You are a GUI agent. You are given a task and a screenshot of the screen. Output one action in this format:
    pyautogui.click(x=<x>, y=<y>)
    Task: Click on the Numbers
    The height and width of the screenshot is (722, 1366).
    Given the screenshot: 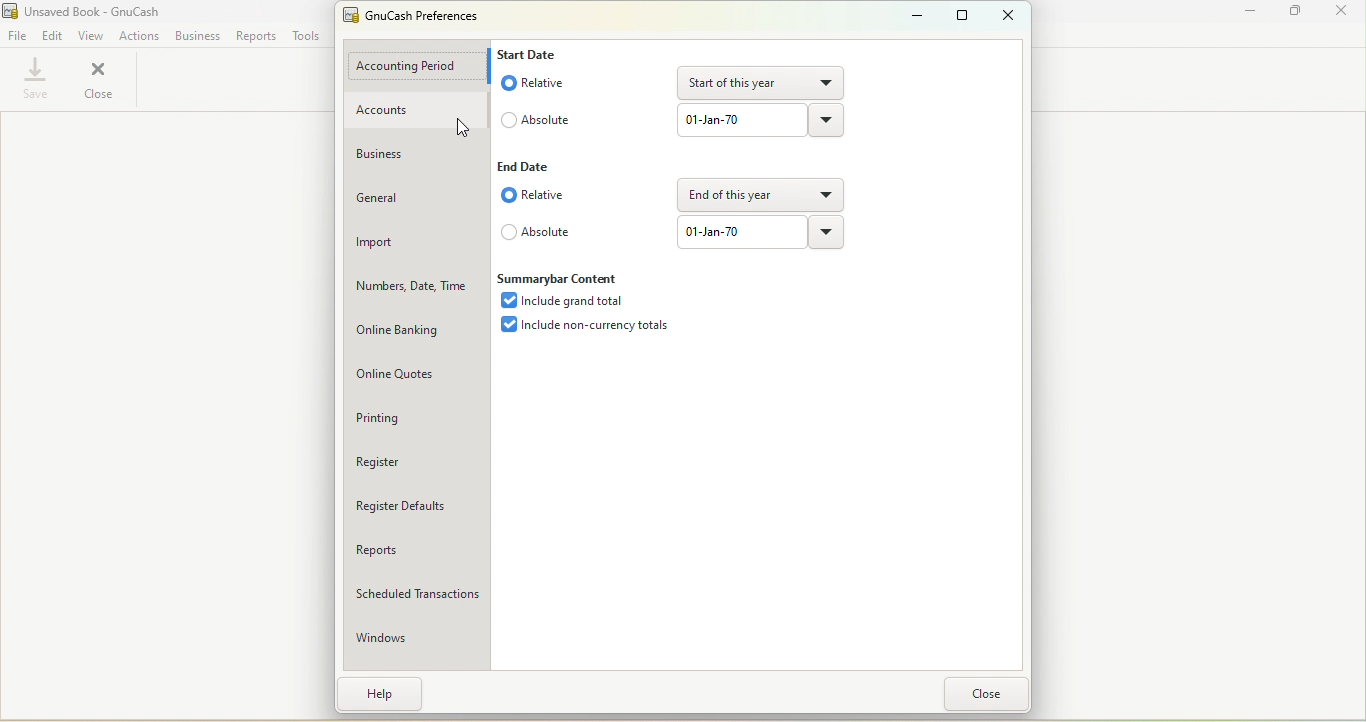 What is the action you would take?
    pyautogui.click(x=416, y=285)
    